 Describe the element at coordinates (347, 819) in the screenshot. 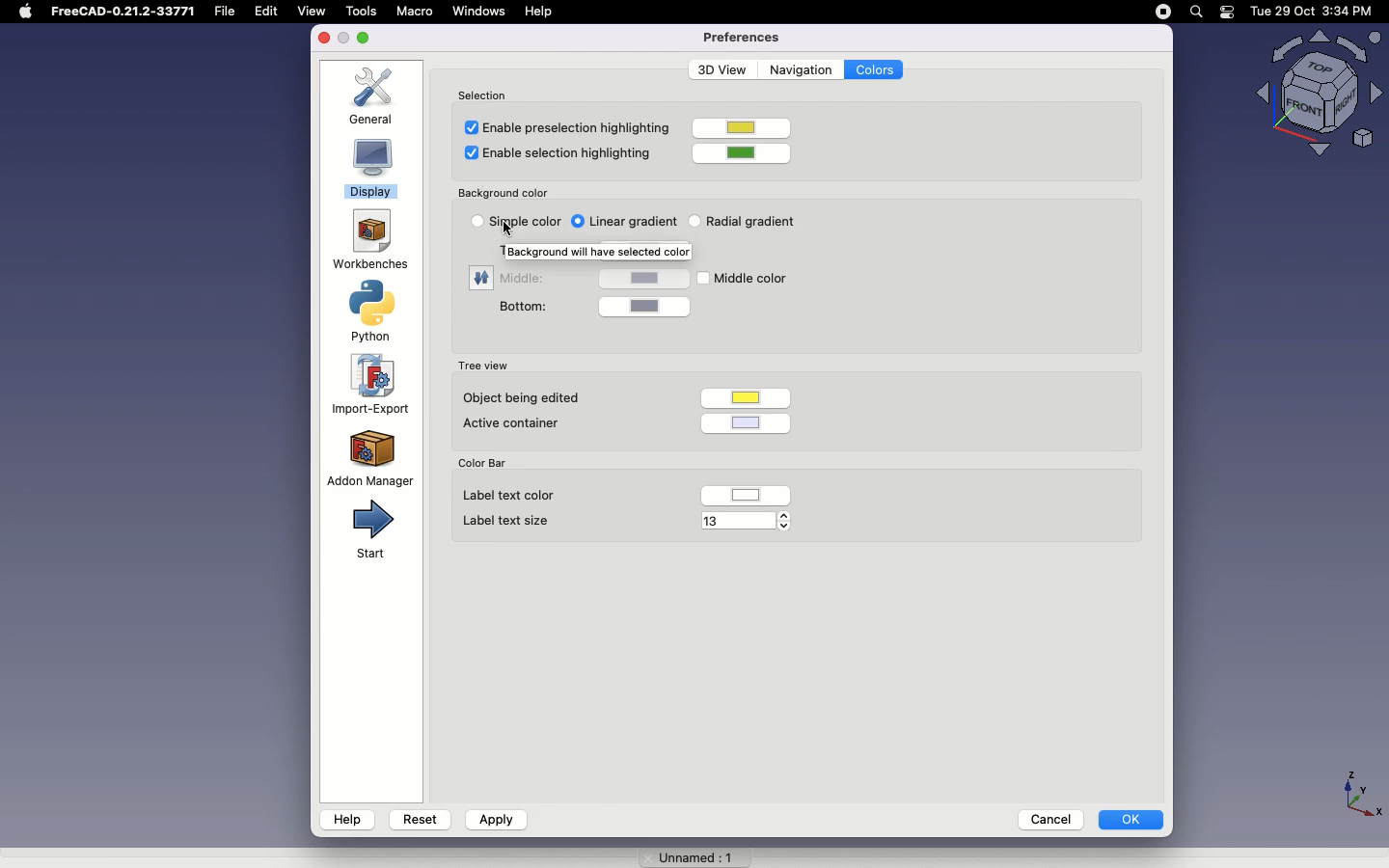

I see `Help` at that location.